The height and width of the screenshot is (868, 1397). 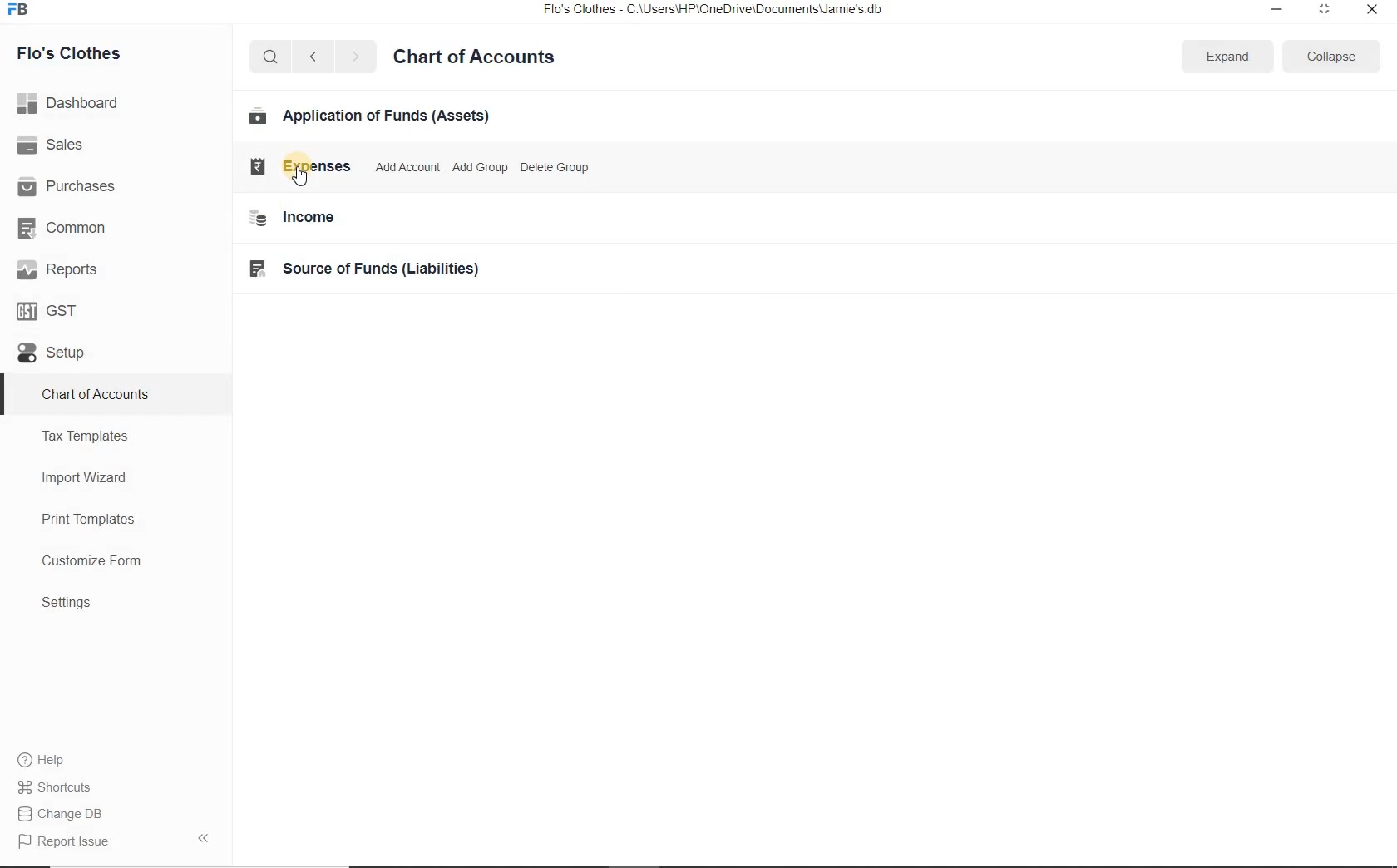 I want to click on Tax Templates, so click(x=86, y=436).